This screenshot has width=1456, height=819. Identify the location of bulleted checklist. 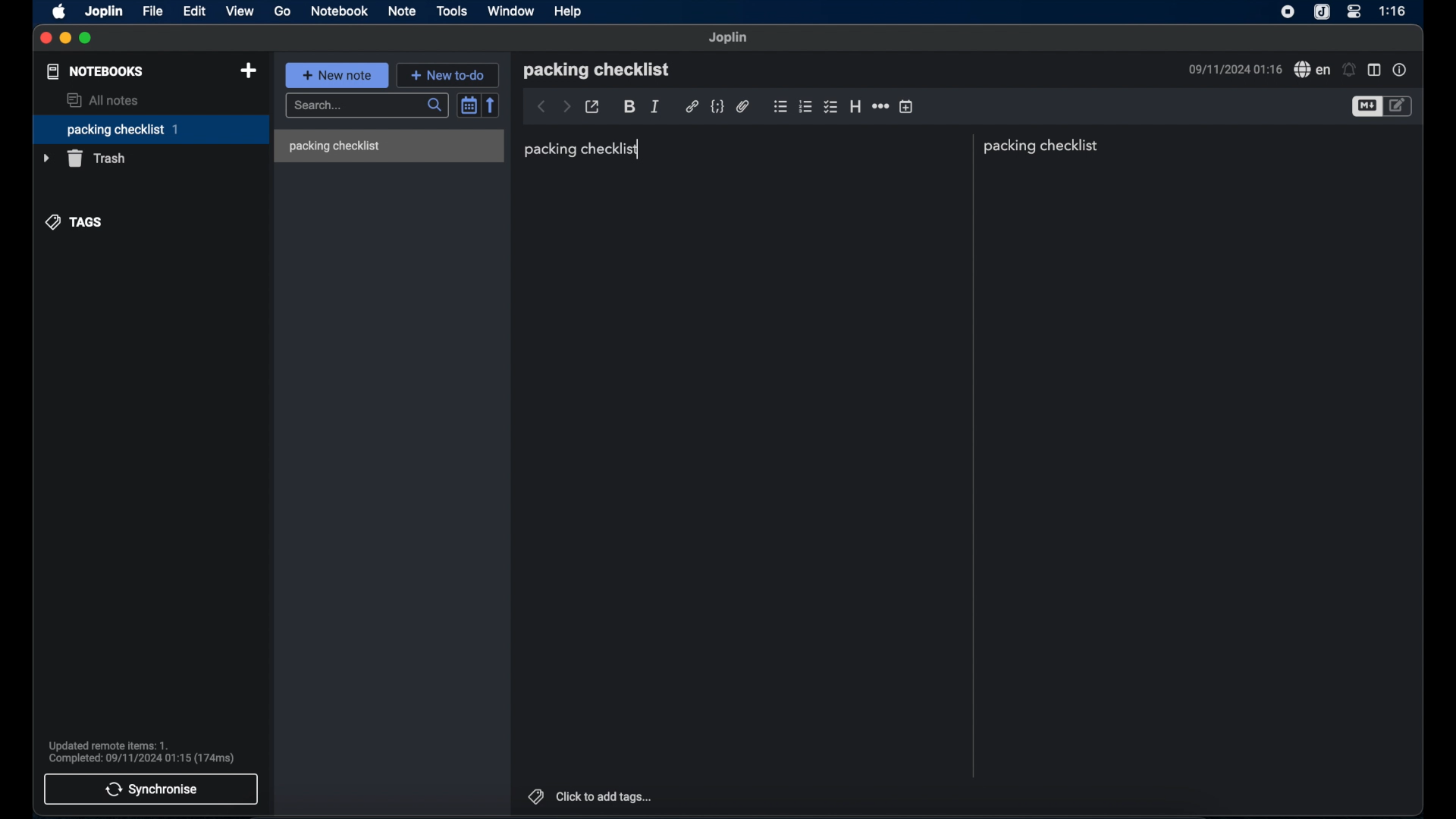
(830, 108).